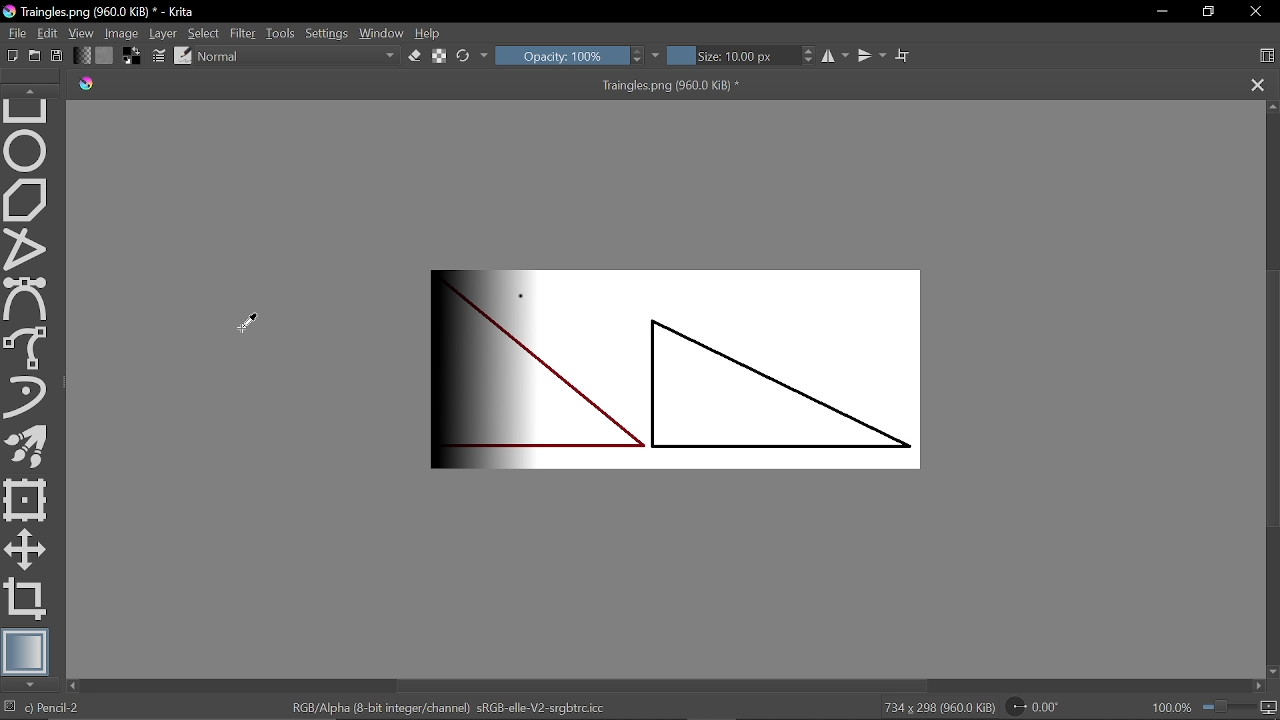  What do you see at coordinates (654, 85) in the screenshot?
I see `Traingles.png (960.0 KiB) *` at bounding box center [654, 85].